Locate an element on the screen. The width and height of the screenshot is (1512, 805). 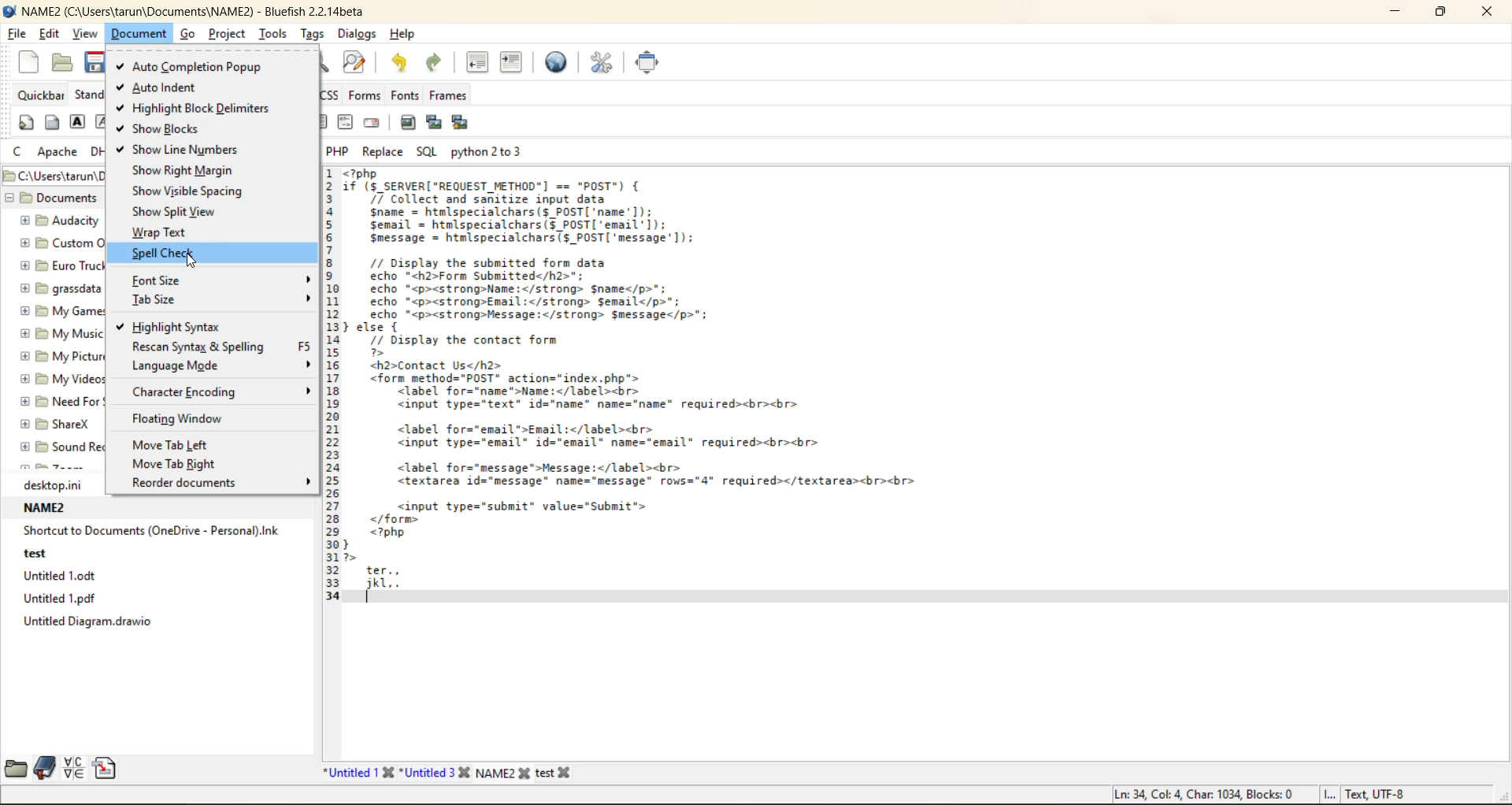
recorder documents is located at coordinates (220, 488).